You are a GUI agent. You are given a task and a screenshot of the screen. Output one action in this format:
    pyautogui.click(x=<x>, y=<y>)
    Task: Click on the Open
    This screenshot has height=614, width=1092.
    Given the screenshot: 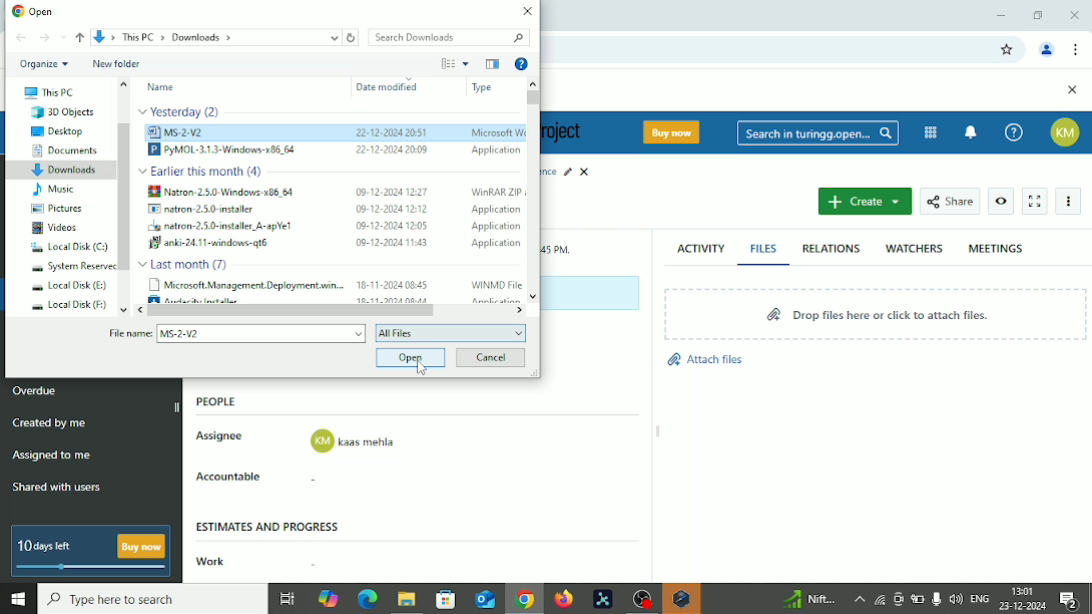 What is the action you would take?
    pyautogui.click(x=33, y=11)
    